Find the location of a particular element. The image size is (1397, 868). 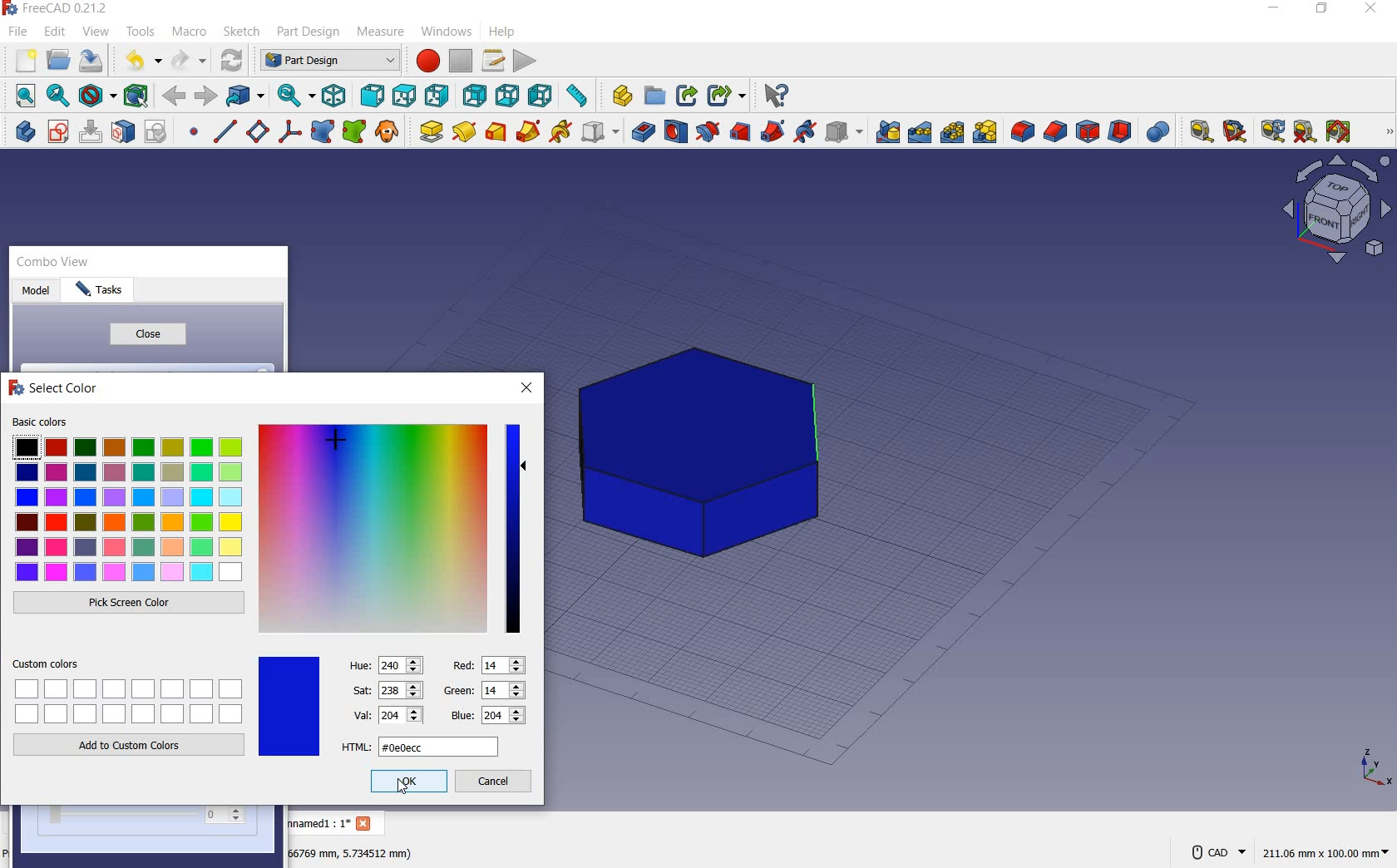

chamfer is located at coordinates (1055, 133).